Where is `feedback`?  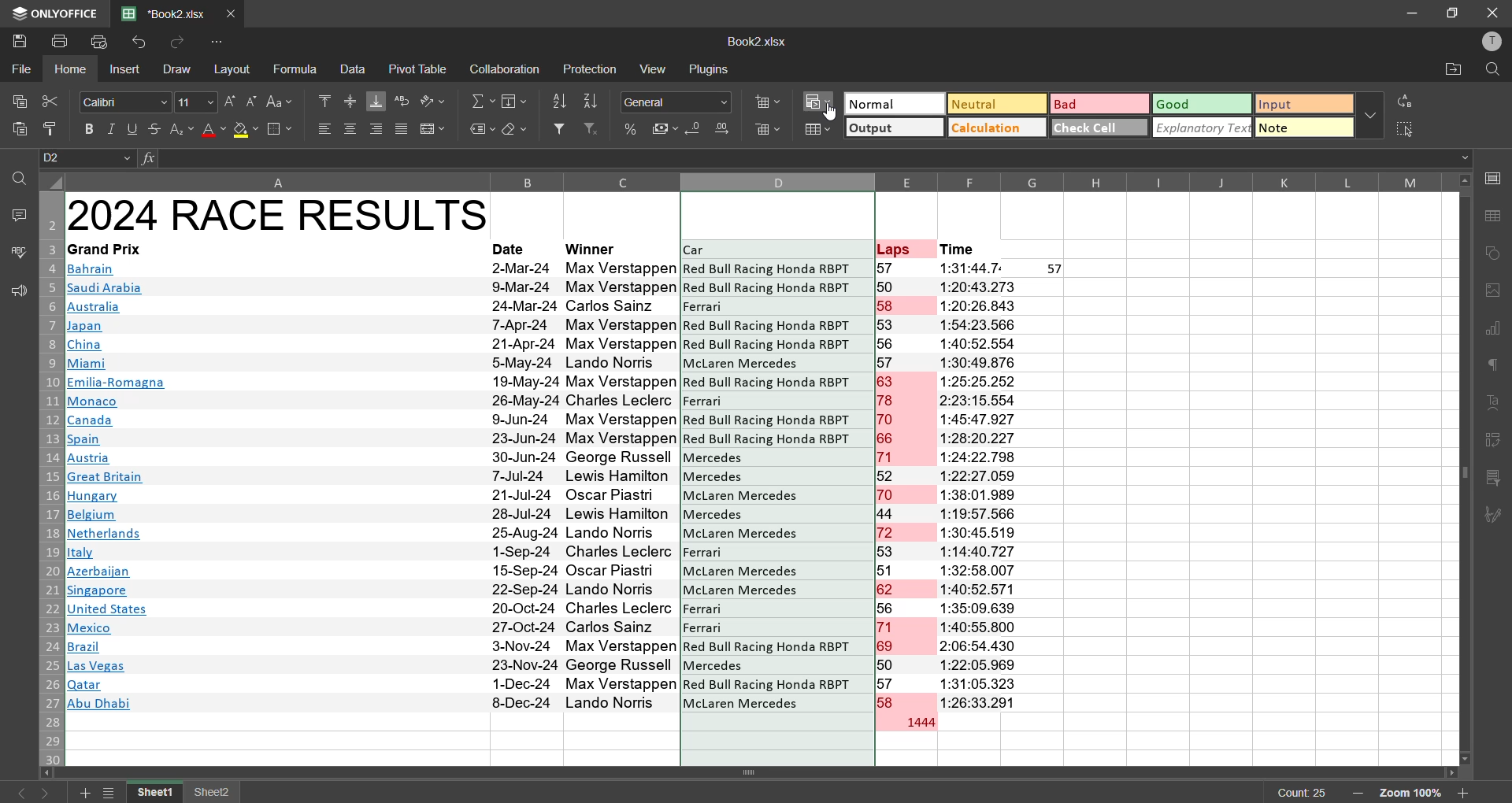
feedback is located at coordinates (16, 291).